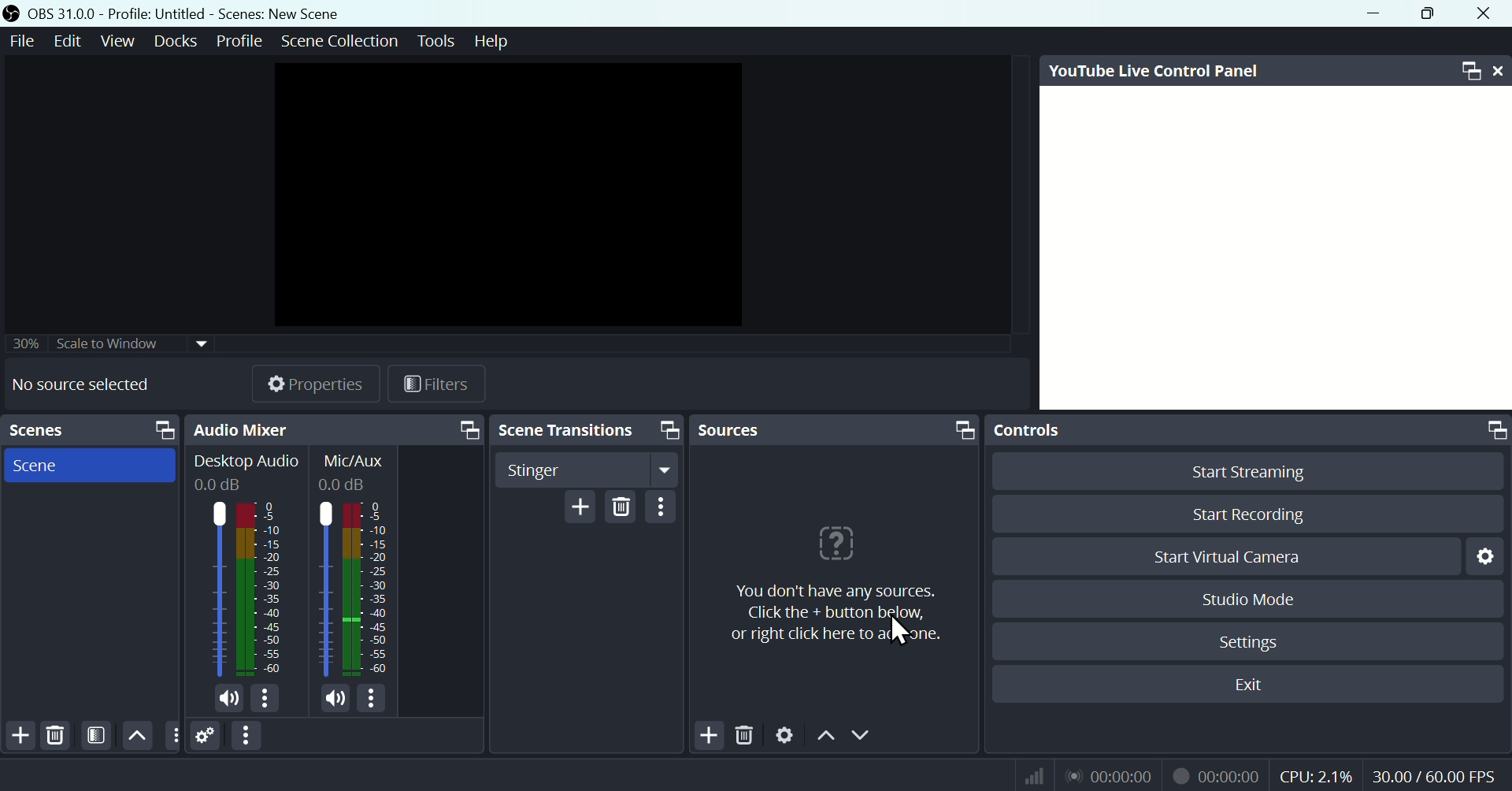  What do you see at coordinates (590, 469) in the screenshot?
I see `Stinger` at bounding box center [590, 469].